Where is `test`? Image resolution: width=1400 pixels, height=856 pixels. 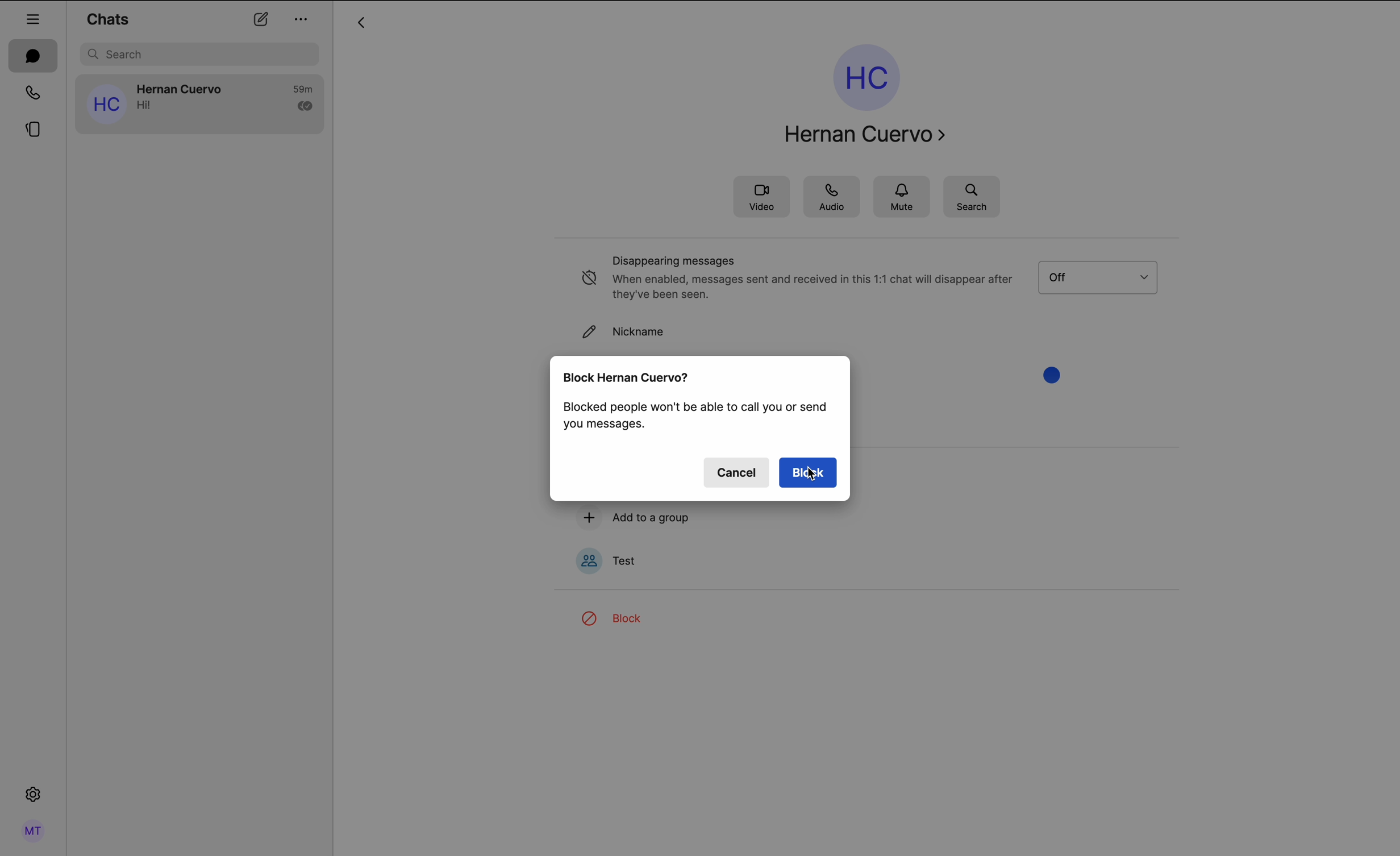
test is located at coordinates (606, 560).